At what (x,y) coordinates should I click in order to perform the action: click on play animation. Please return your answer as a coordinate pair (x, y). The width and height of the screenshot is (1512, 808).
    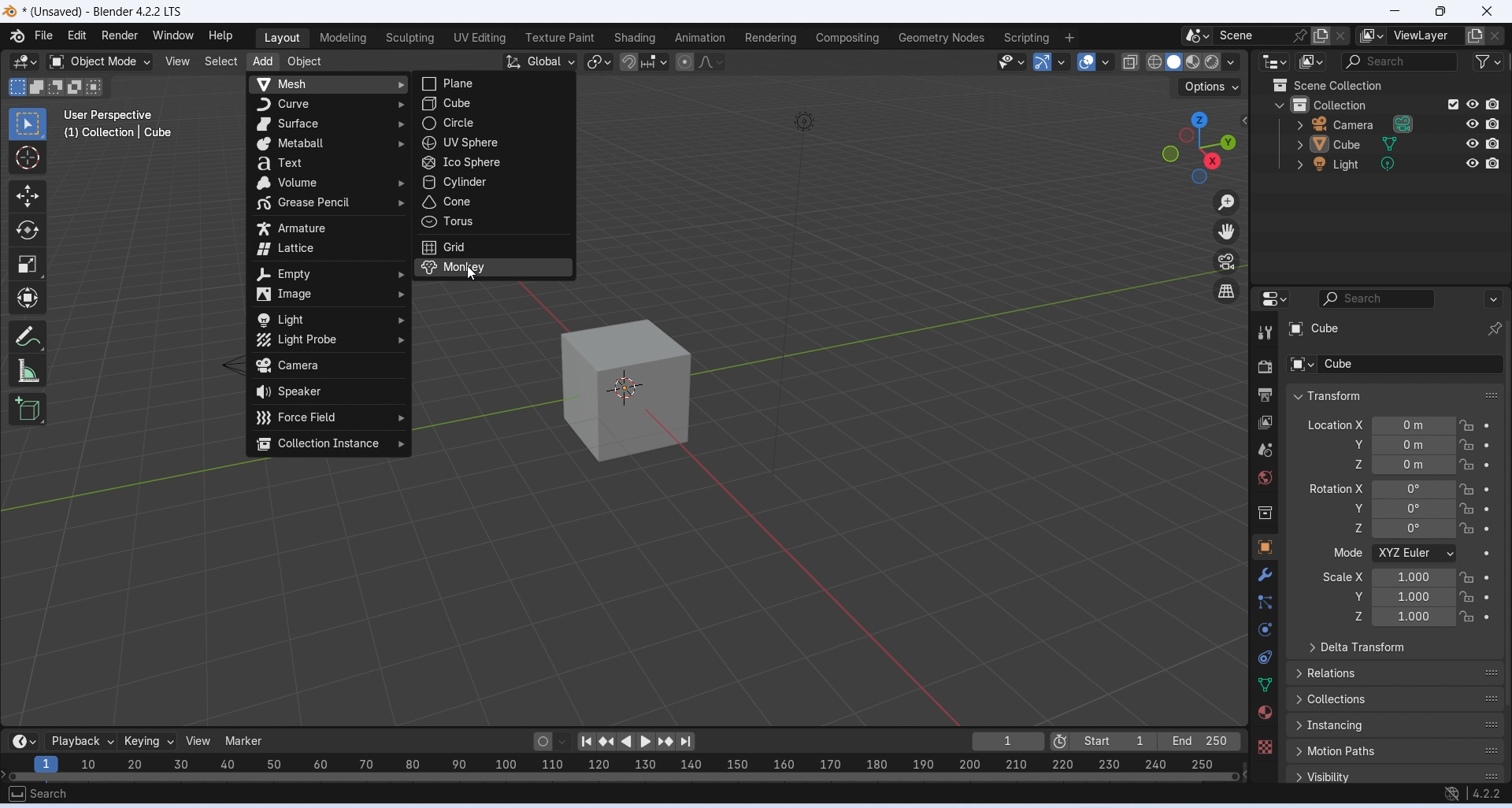
    Looking at the image, I should click on (627, 743).